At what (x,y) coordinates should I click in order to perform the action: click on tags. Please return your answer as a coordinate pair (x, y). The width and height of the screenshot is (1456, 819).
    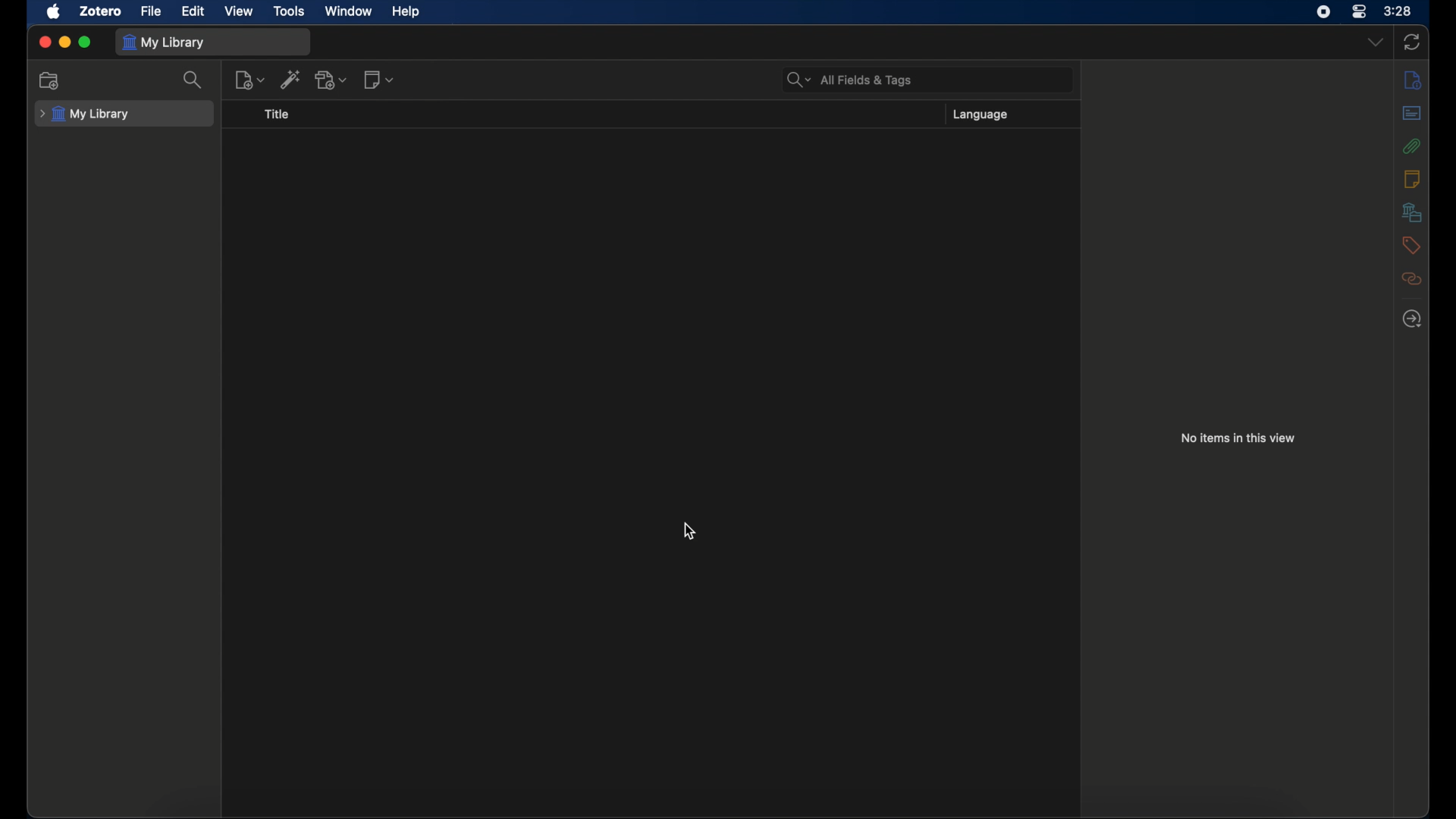
    Looking at the image, I should click on (1410, 245).